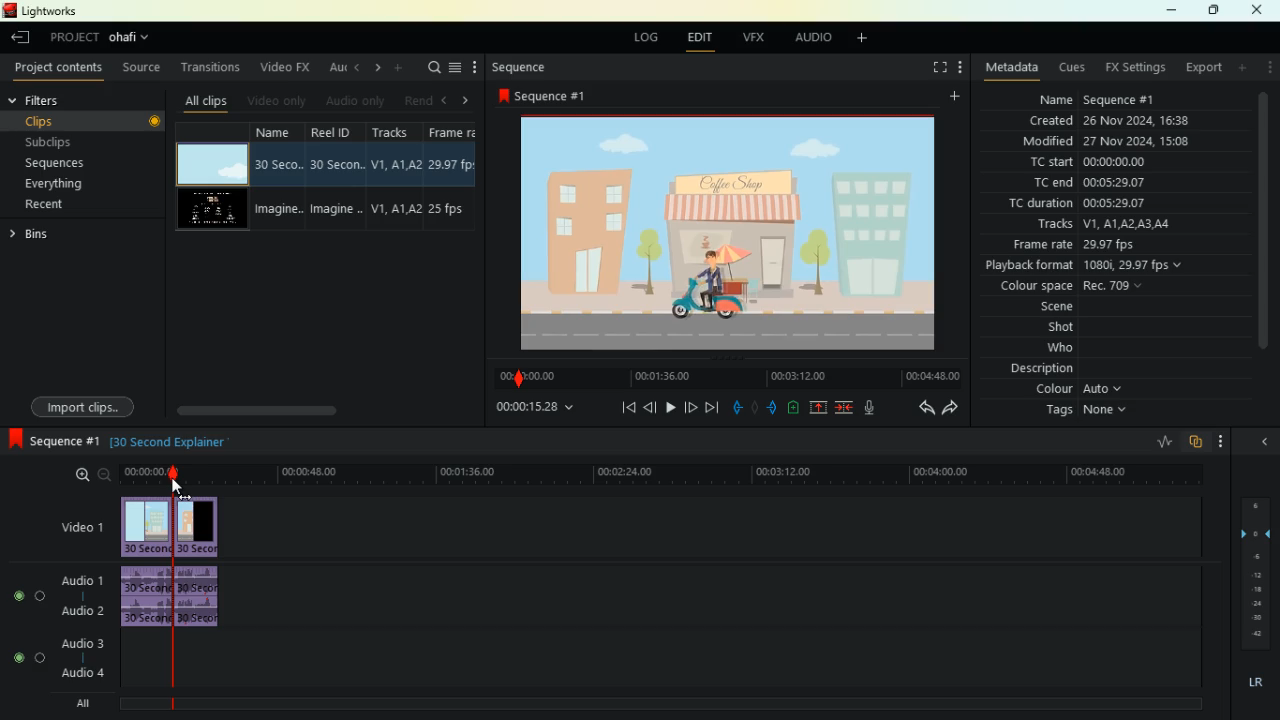  What do you see at coordinates (1255, 578) in the screenshot?
I see `layers` at bounding box center [1255, 578].